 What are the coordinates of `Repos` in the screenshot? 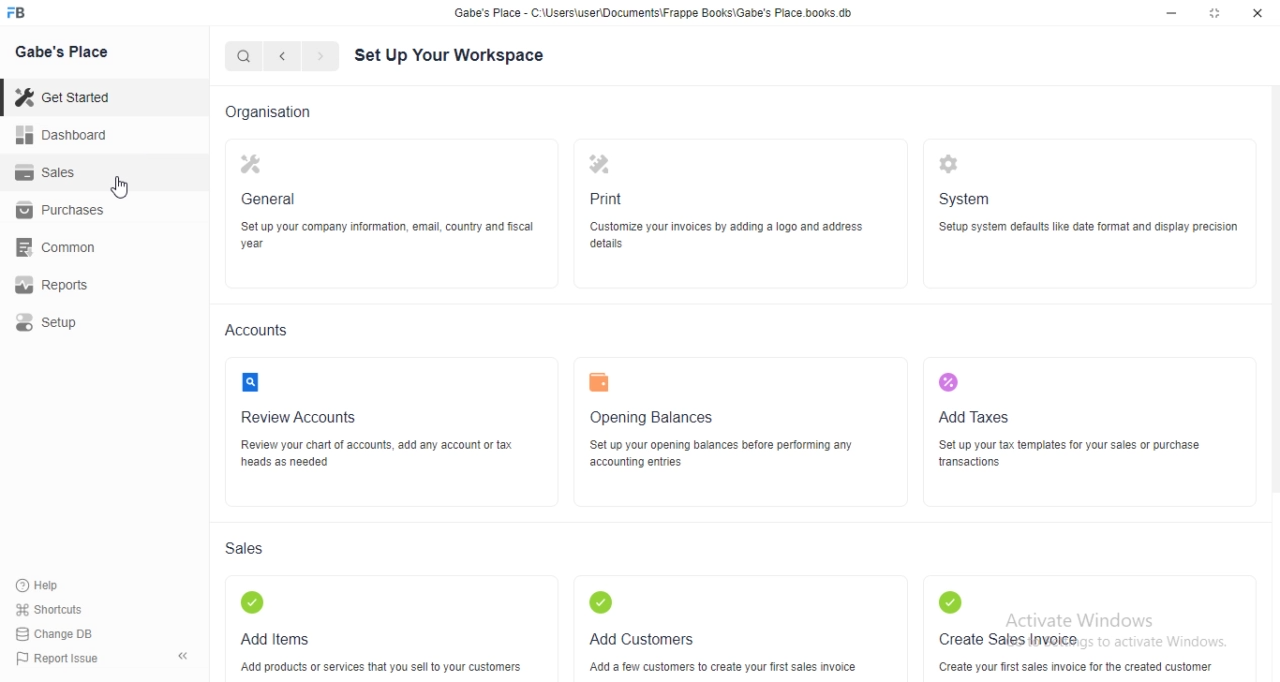 It's located at (59, 285).